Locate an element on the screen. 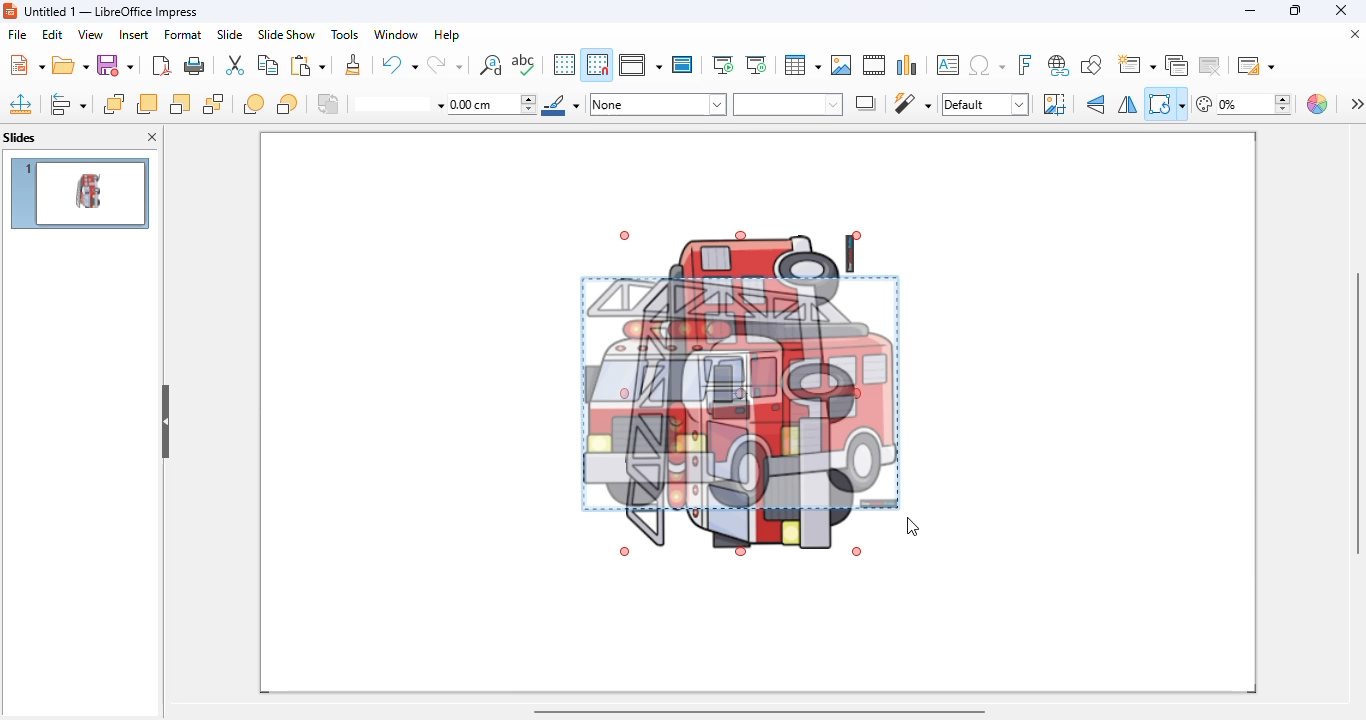 This screenshot has width=1366, height=720. more options is located at coordinates (1356, 103).